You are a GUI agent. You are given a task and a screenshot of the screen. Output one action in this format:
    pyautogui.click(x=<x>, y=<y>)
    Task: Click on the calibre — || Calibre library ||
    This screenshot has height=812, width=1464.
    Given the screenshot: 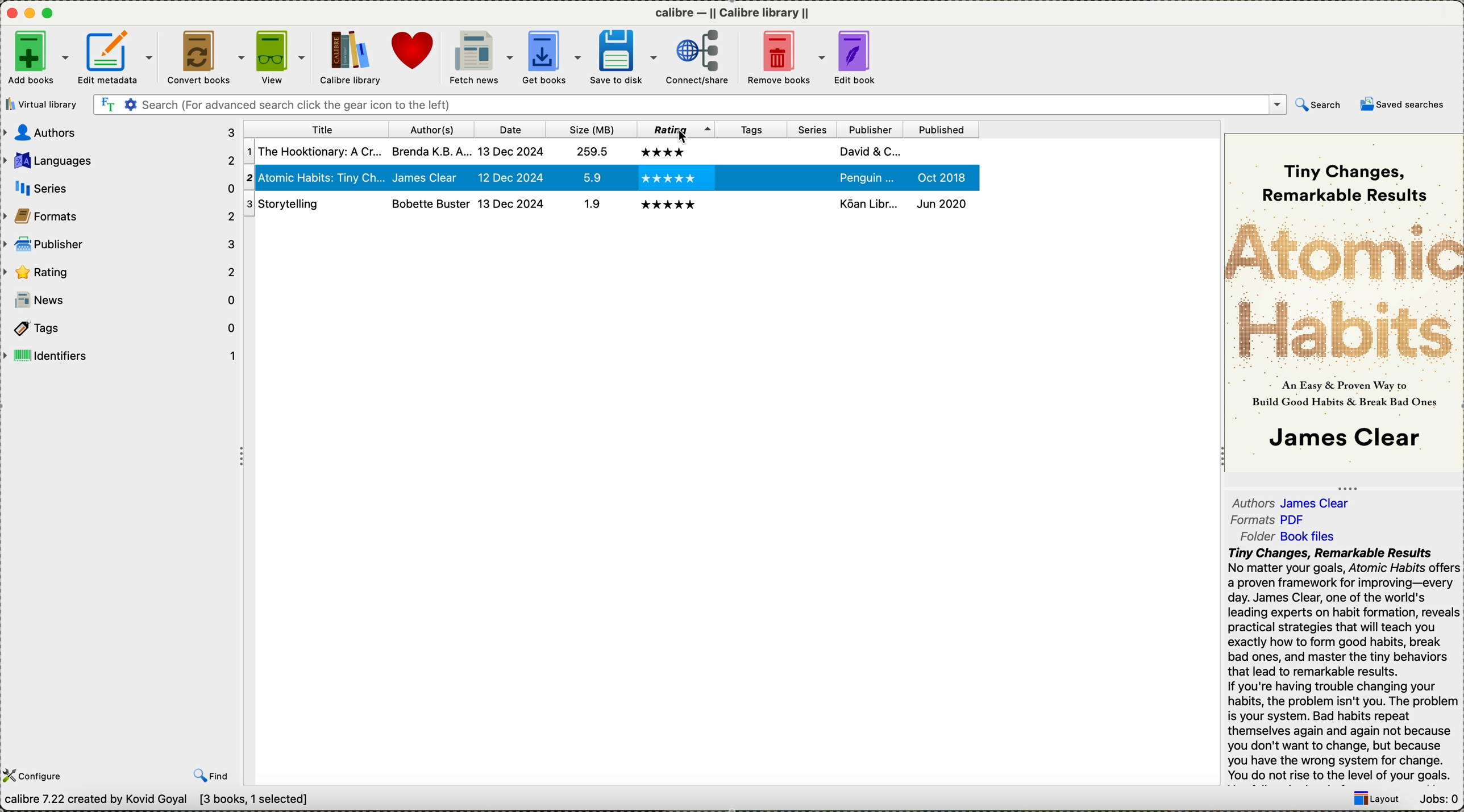 What is the action you would take?
    pyautogui.click(x=734, y=13)
    